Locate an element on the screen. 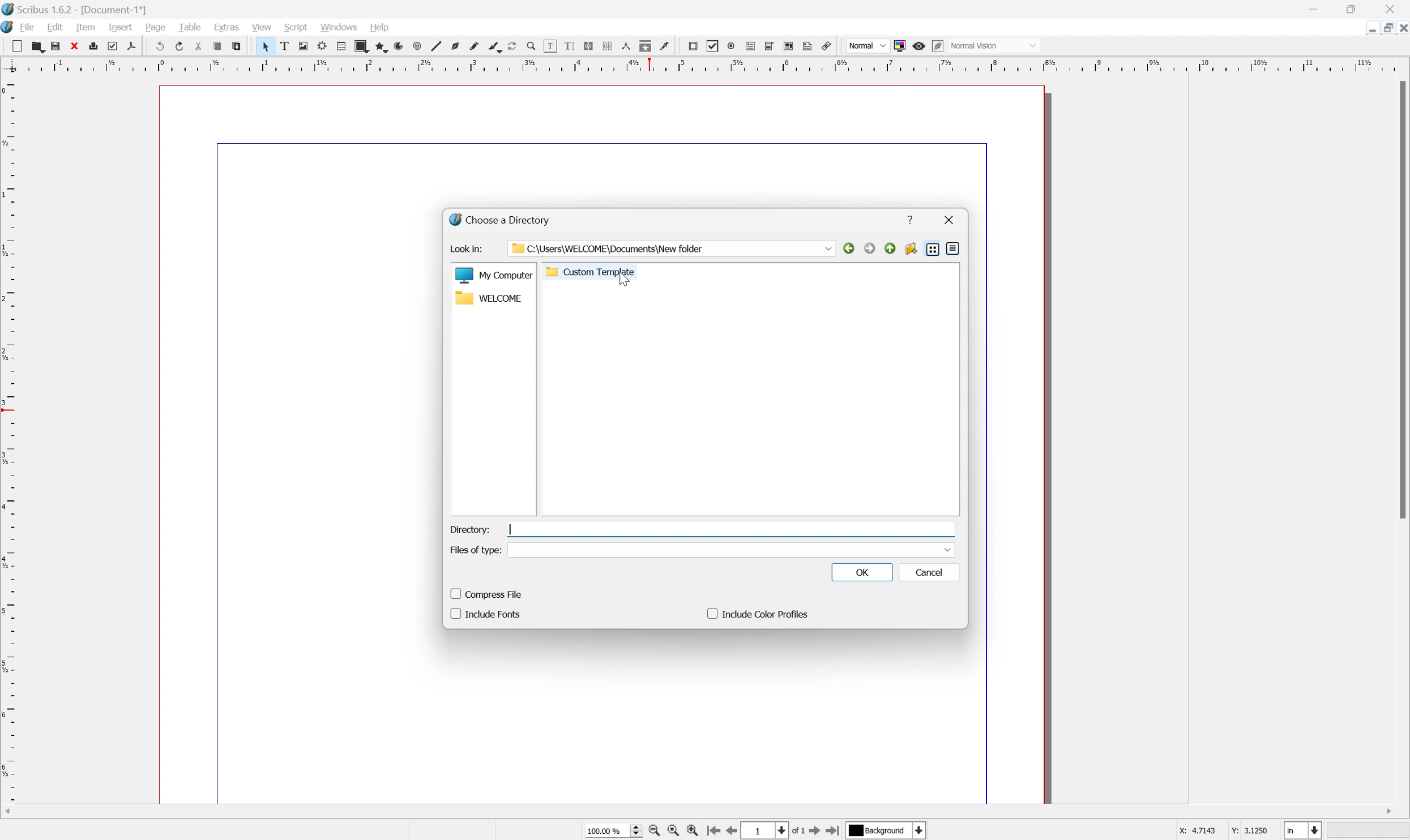 The image size is (1410, 840). include fonts is located at coordinates (492, 614).